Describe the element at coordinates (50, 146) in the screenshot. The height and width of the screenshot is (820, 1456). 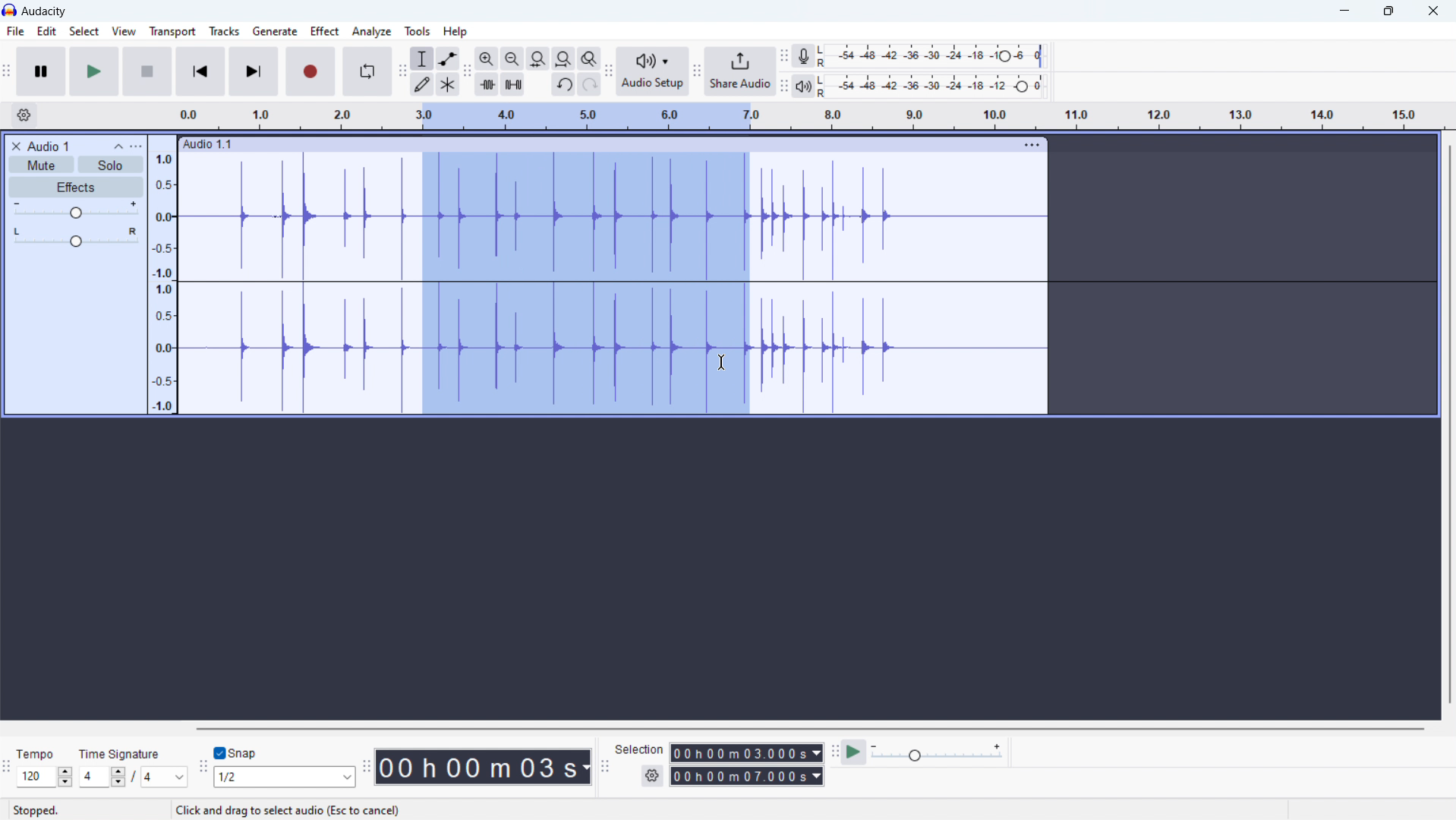
I see `title` at that location.